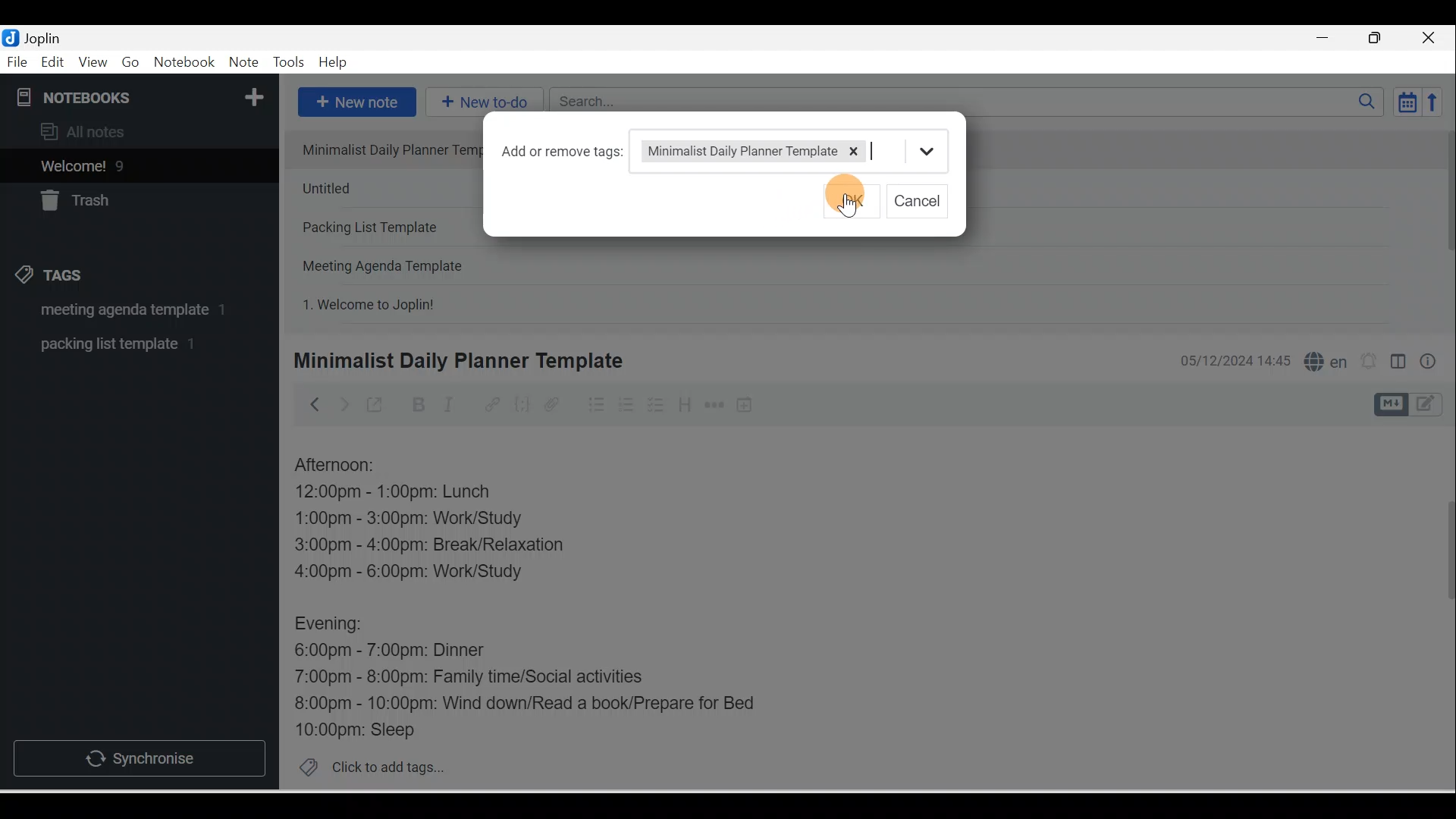 This screenshot has width=1456, height=819. What do you see at coordinates (288, 62) in the screenshot?
I see `Tools` at bounding box center [288, 62].